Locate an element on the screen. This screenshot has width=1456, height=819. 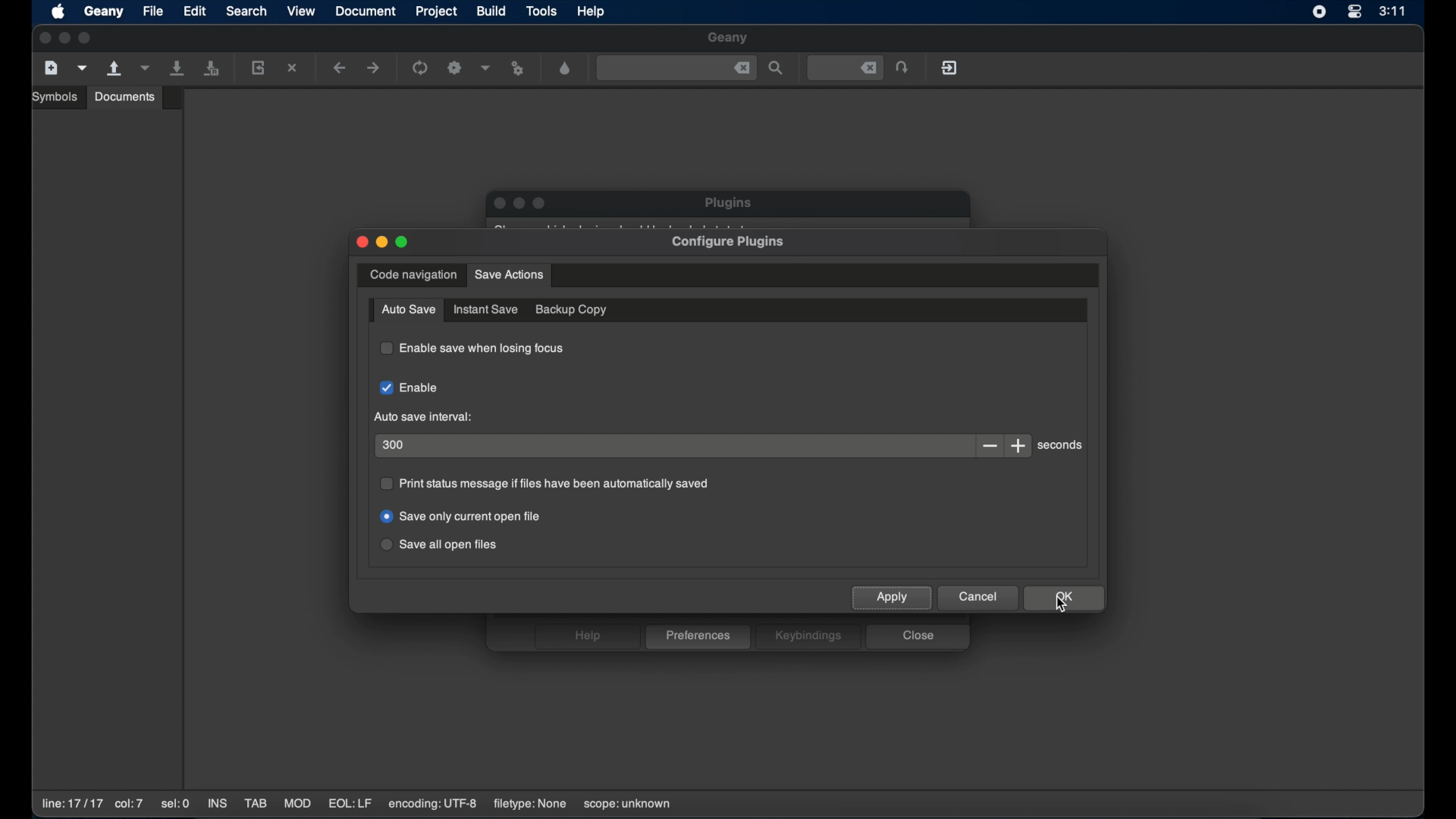
reload the current file is located at coordinates (259, 67).